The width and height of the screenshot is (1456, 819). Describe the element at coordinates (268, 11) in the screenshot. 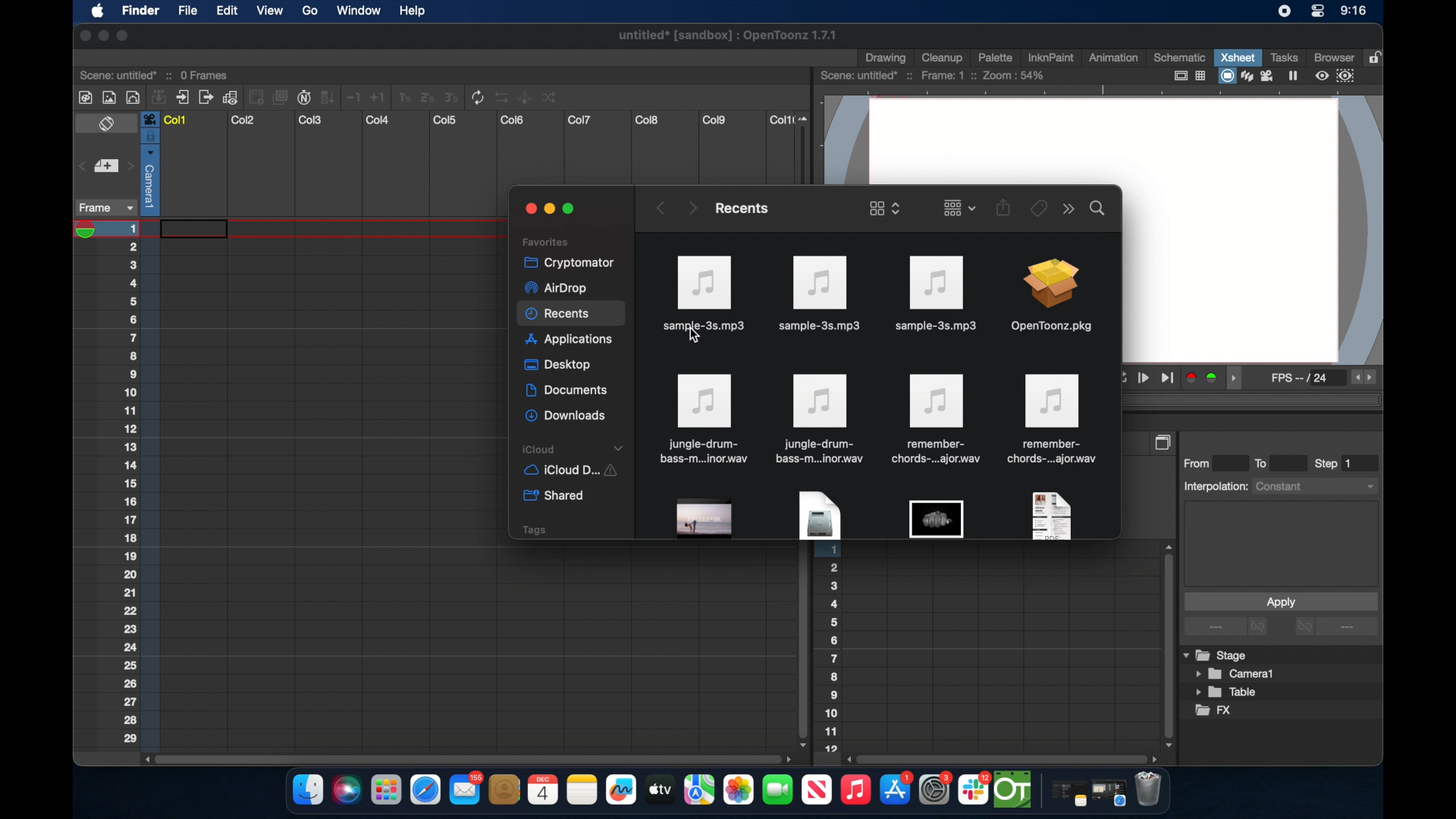

I see `view` at that location.